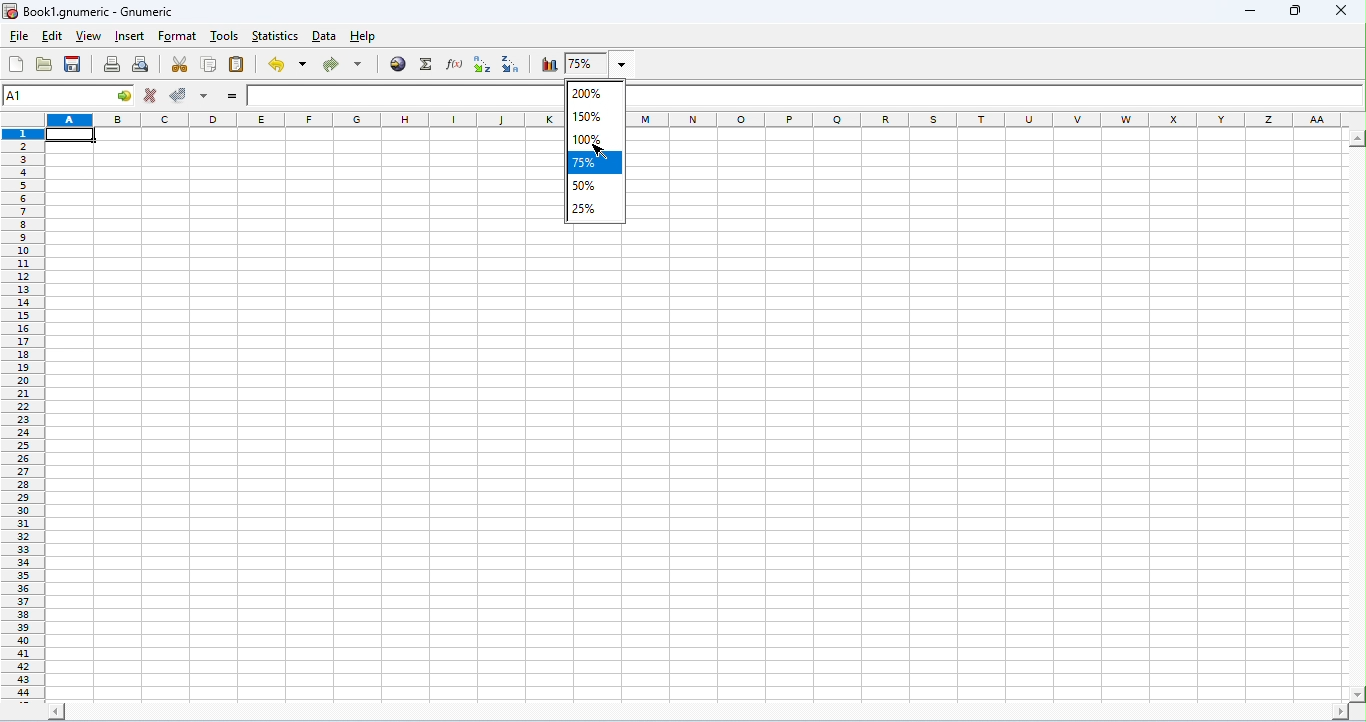  I want to click on open, so click(44, 63).